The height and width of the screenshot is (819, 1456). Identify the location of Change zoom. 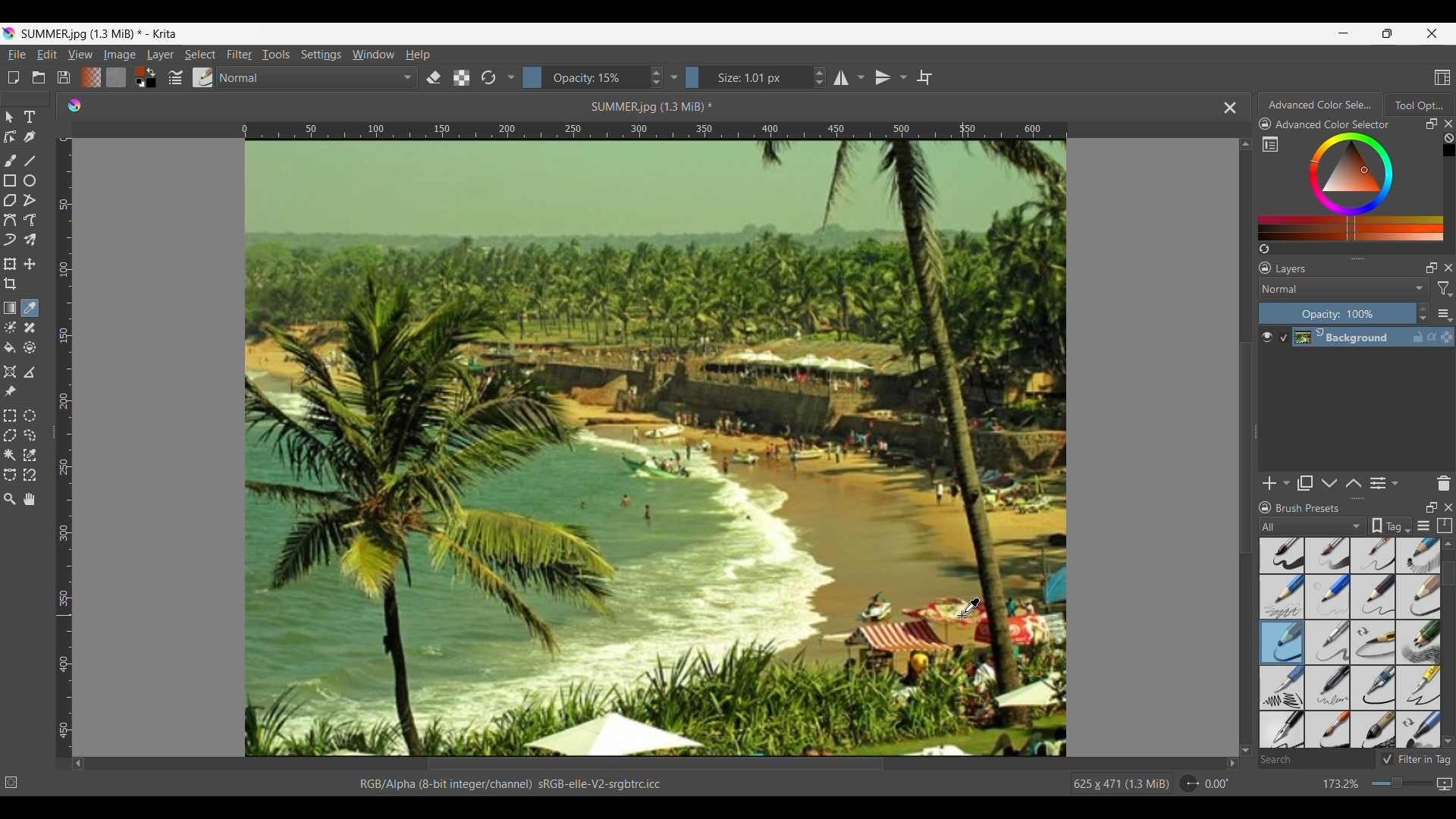
(1401, 783).